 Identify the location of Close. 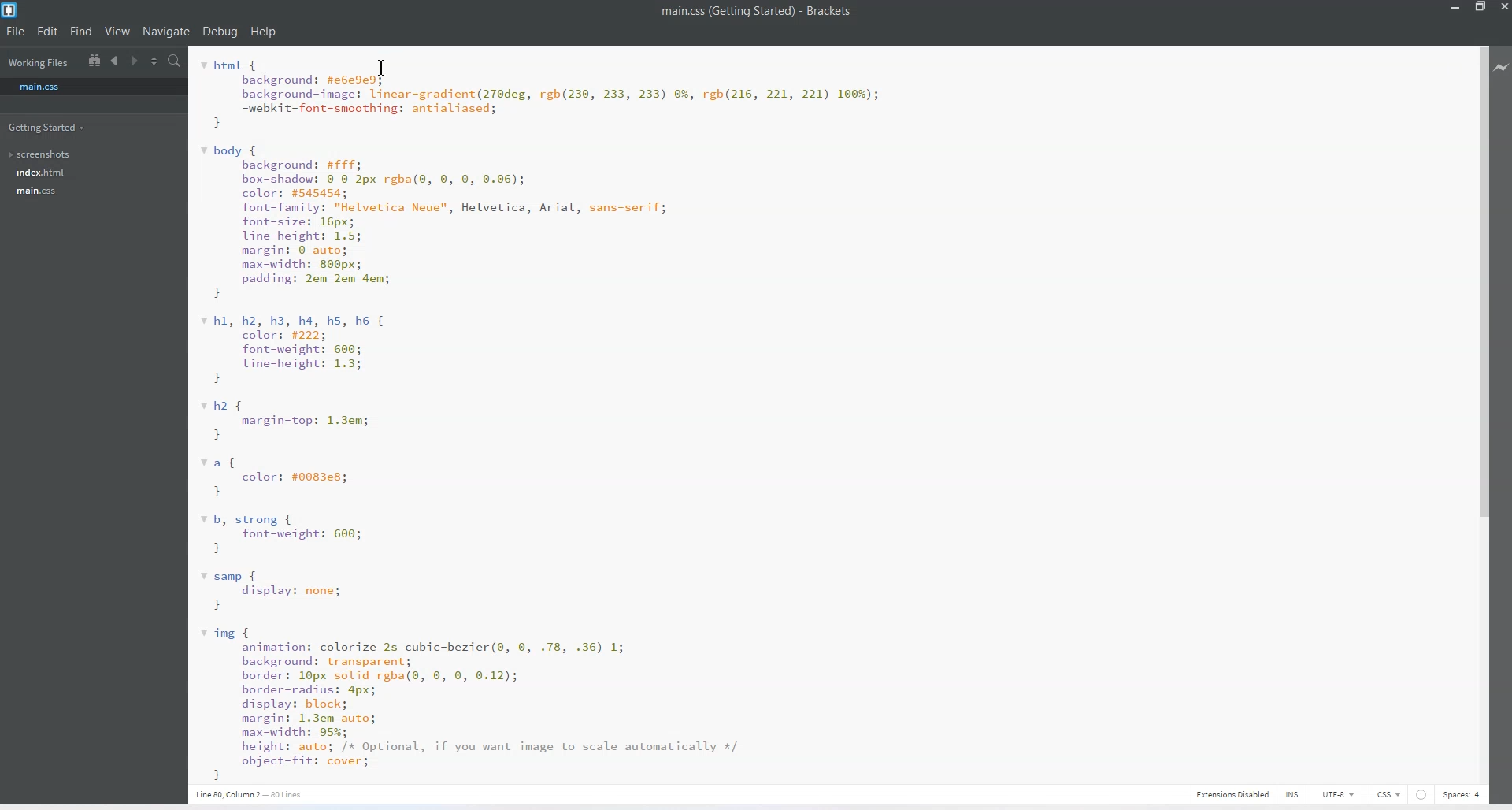
(1503, 8).